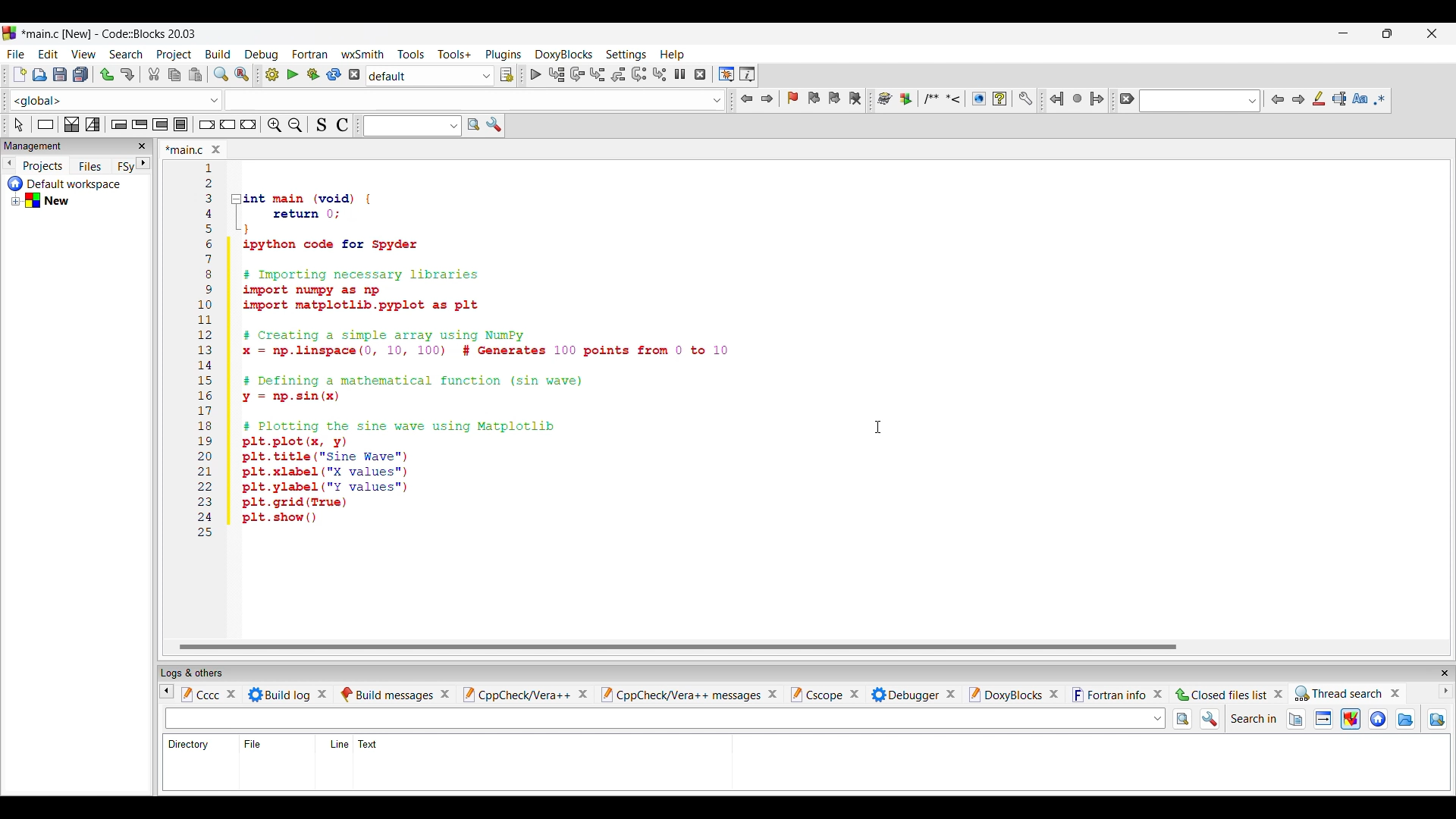 The height and width of the screenshot is (819, 1456). I want to click on Use regex, so click(1381, 100).